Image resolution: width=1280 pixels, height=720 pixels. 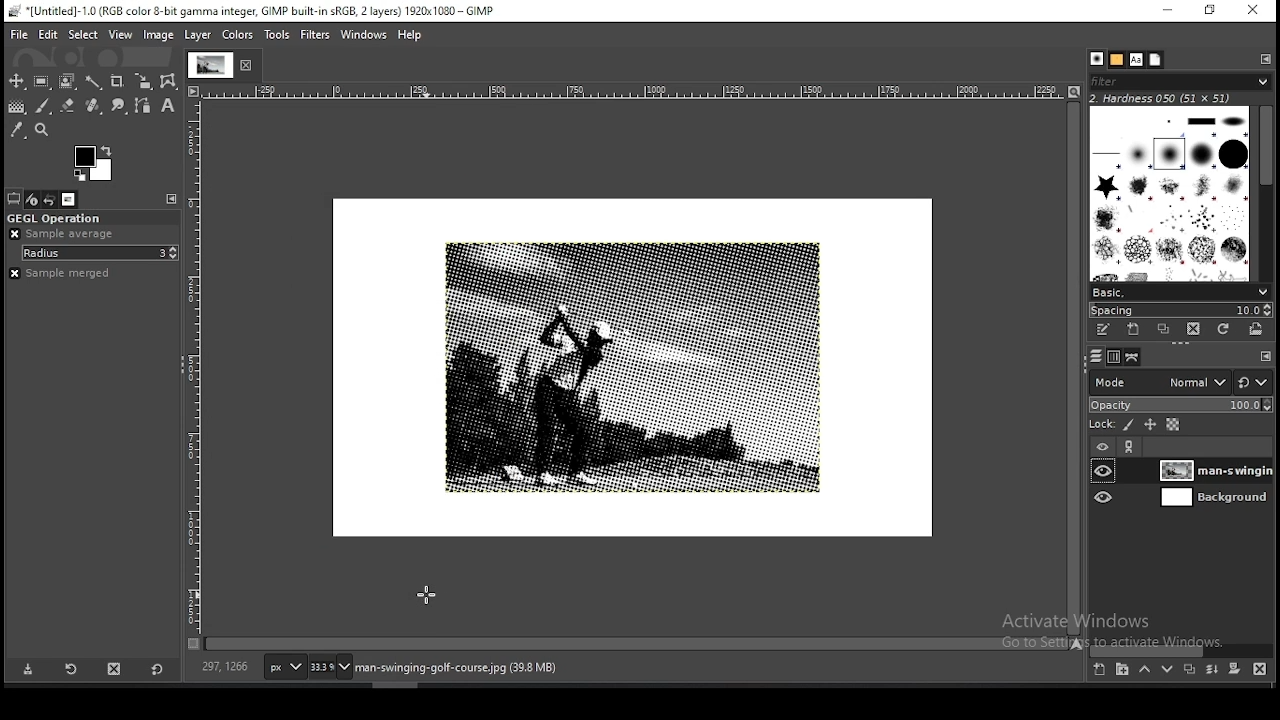 I want to click on channels, so click(x=1112, y=359).